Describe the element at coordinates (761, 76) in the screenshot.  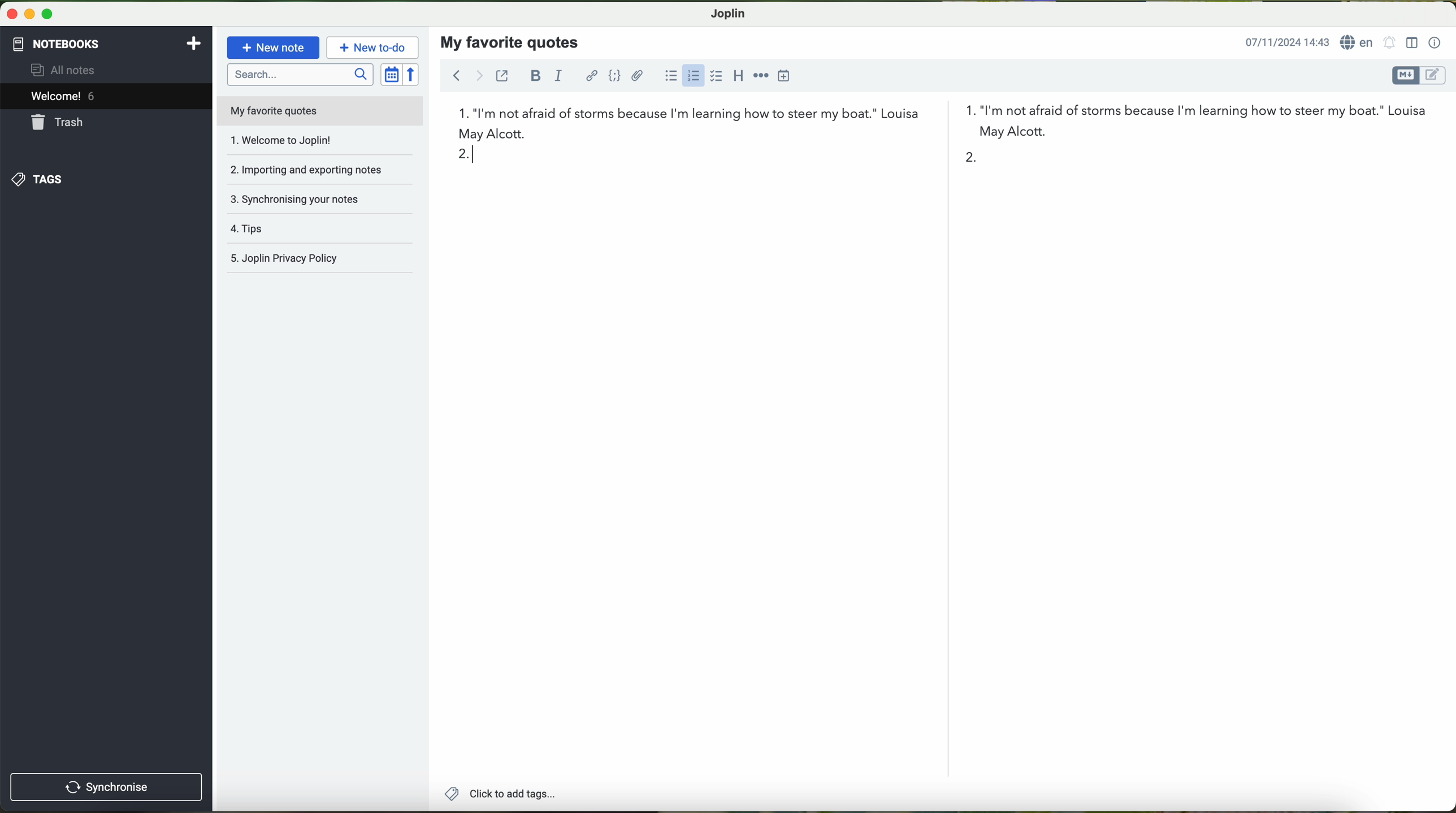
I see `horizontal rule` at that location.